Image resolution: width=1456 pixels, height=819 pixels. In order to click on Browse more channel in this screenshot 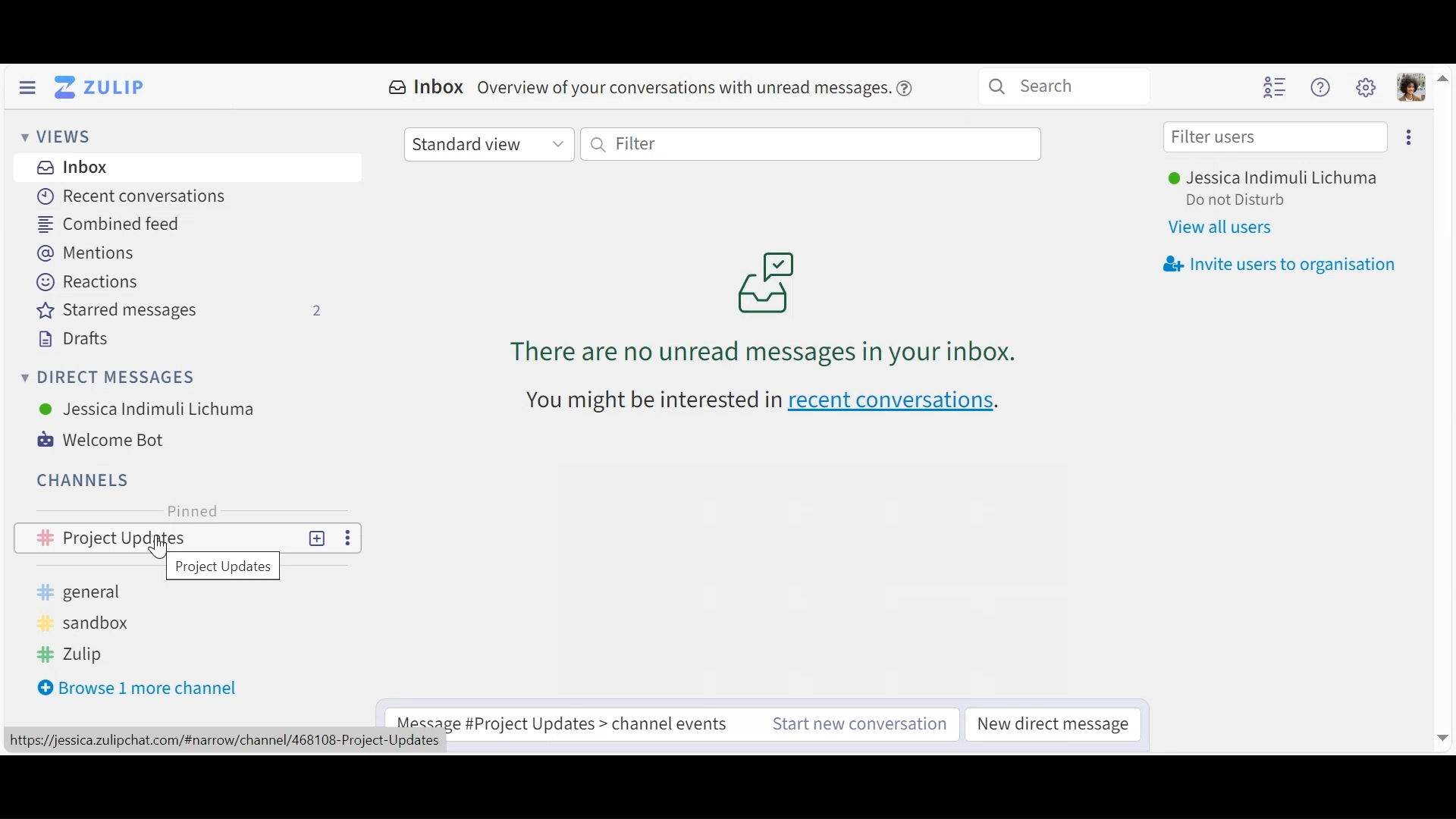, I will do `click(140, 687)`.